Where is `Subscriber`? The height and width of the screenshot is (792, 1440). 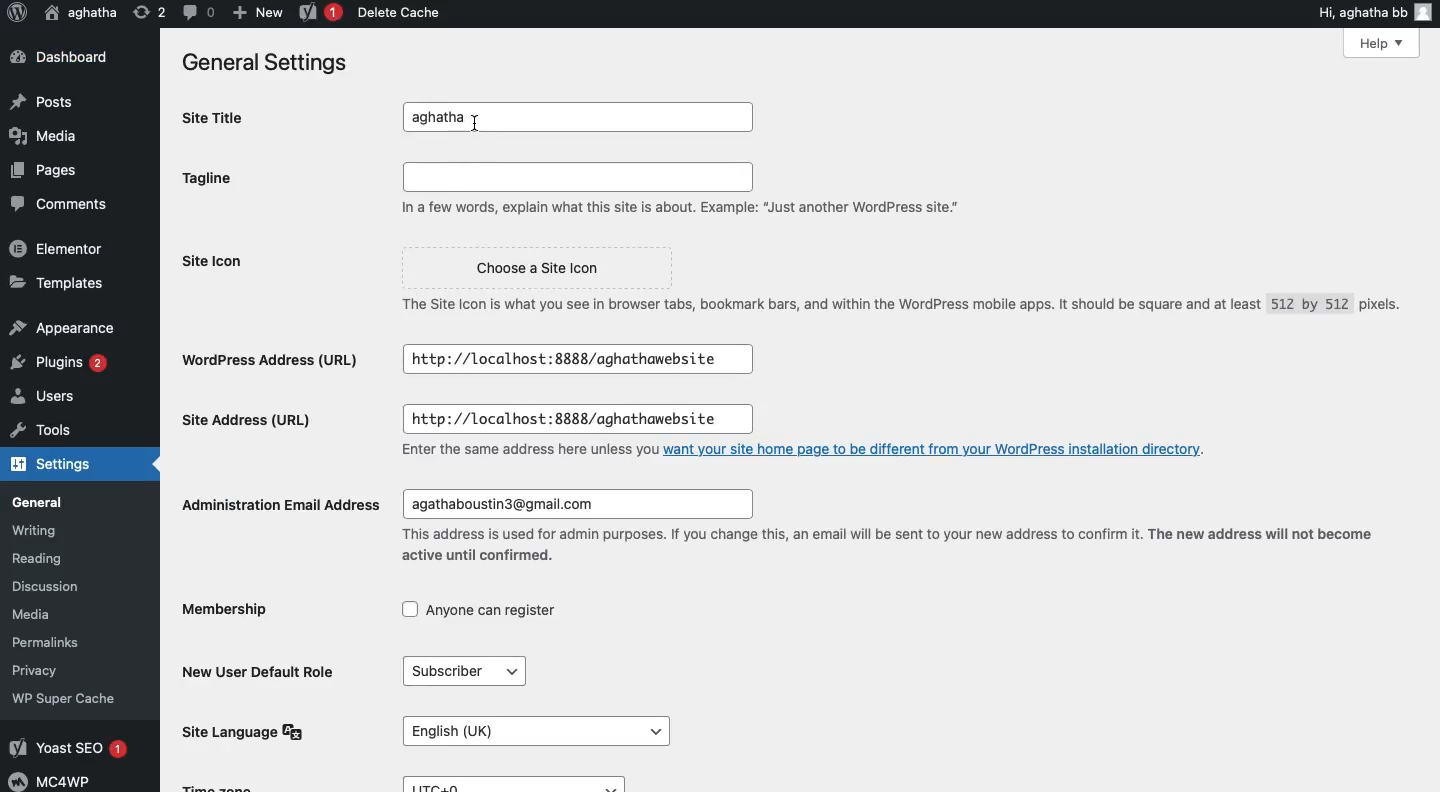 Subscriber is located at coordinates (467, 671).